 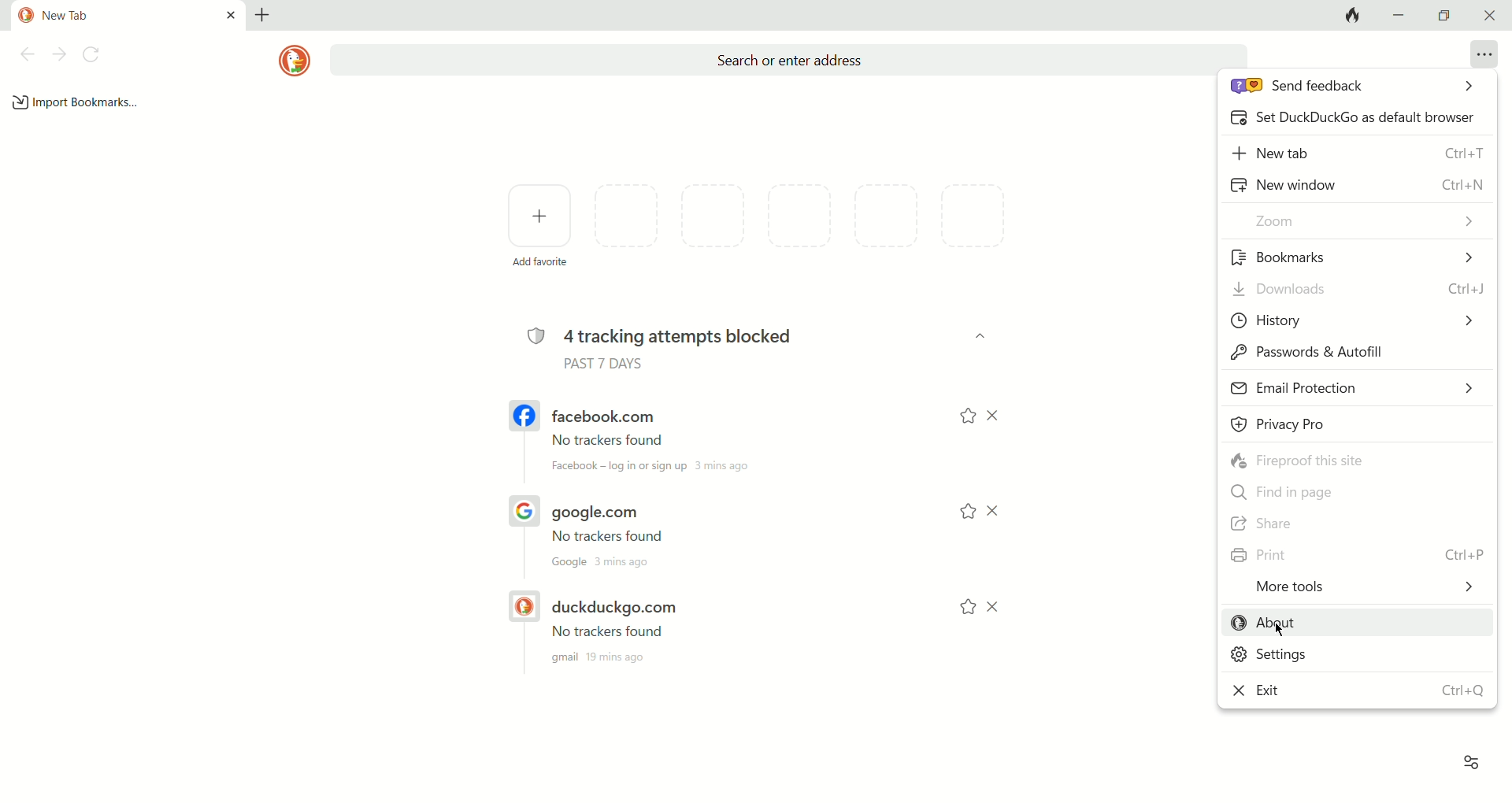 I want to click on google.com URL, so click(x=654, y=529).